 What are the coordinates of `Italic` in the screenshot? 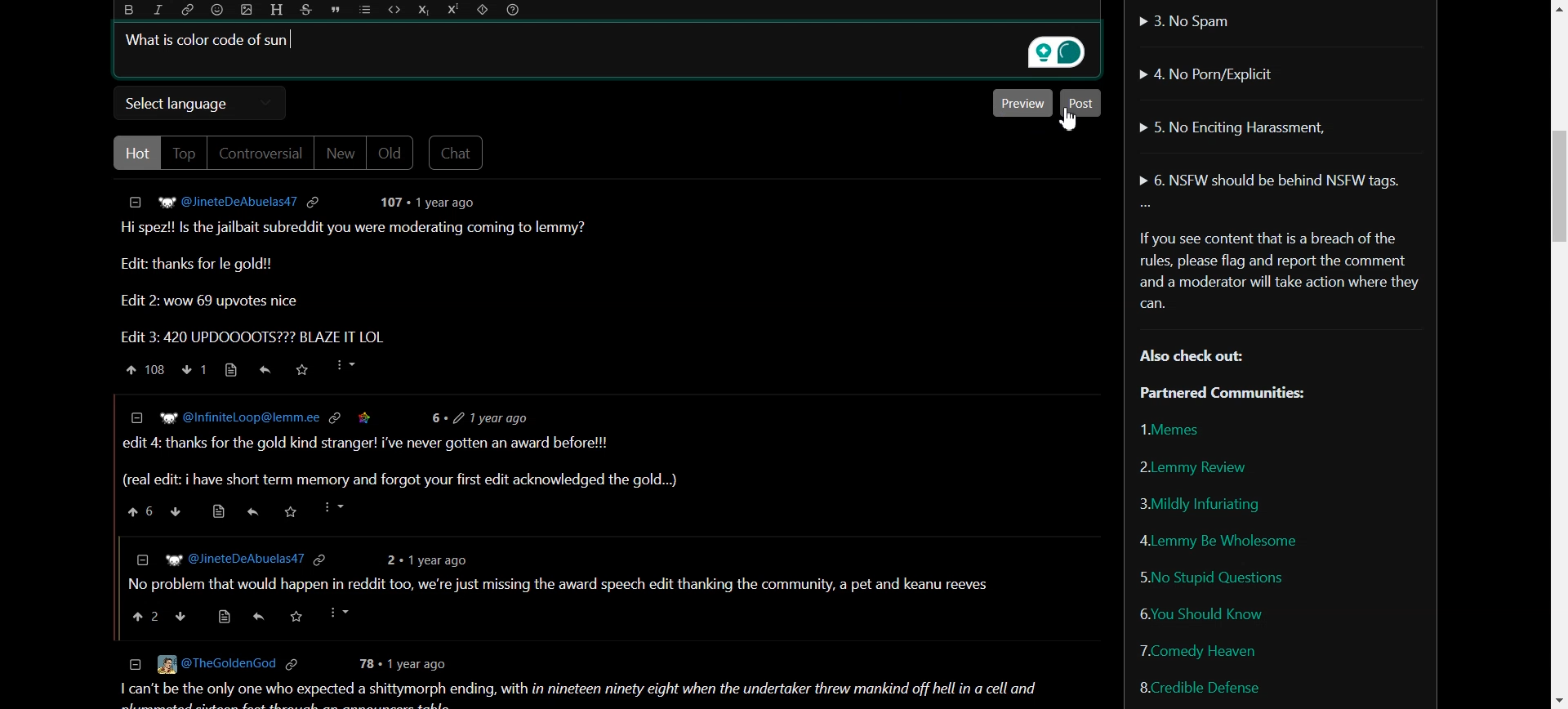 It's located at (158, 10).